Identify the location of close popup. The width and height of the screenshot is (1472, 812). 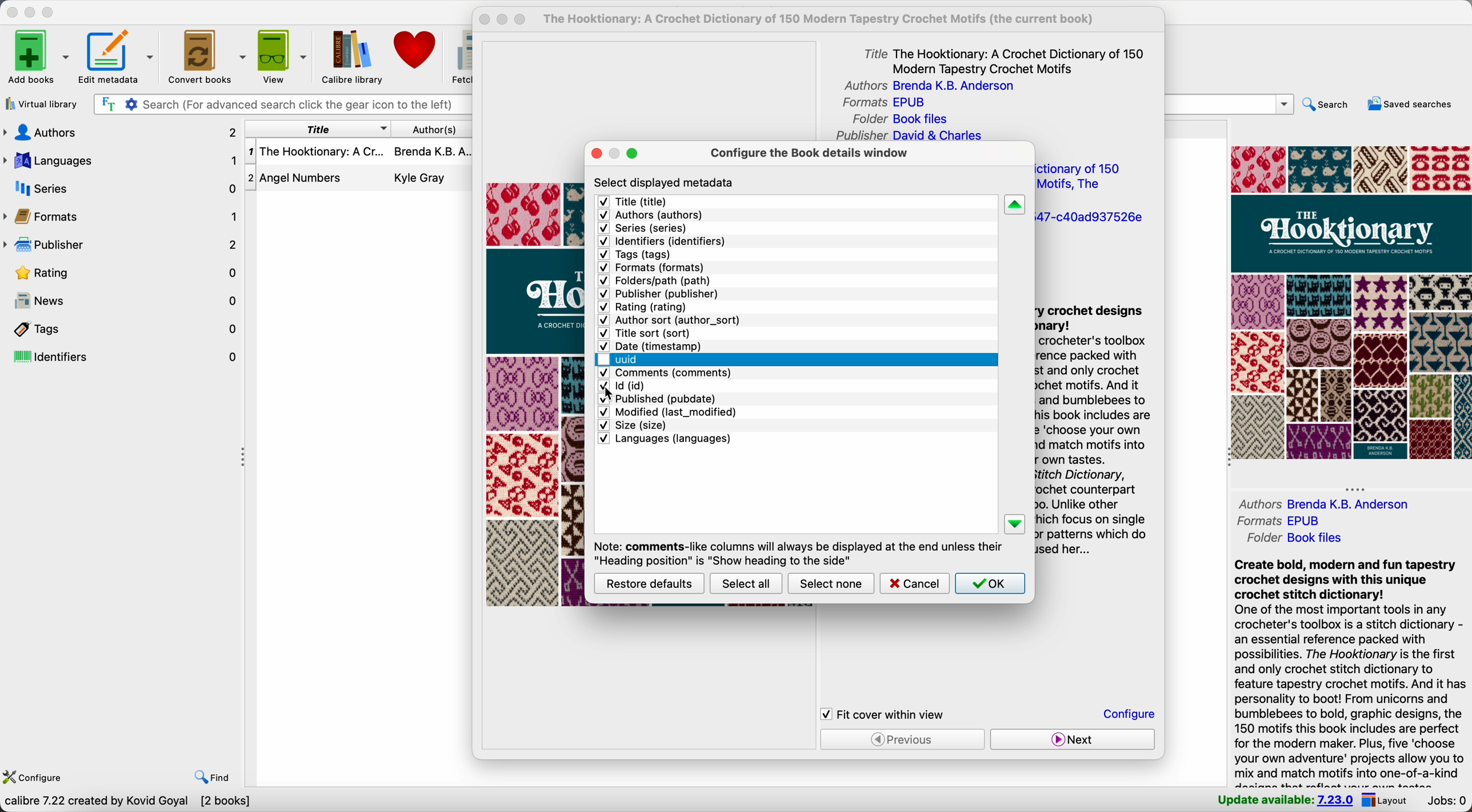
(597, 154).